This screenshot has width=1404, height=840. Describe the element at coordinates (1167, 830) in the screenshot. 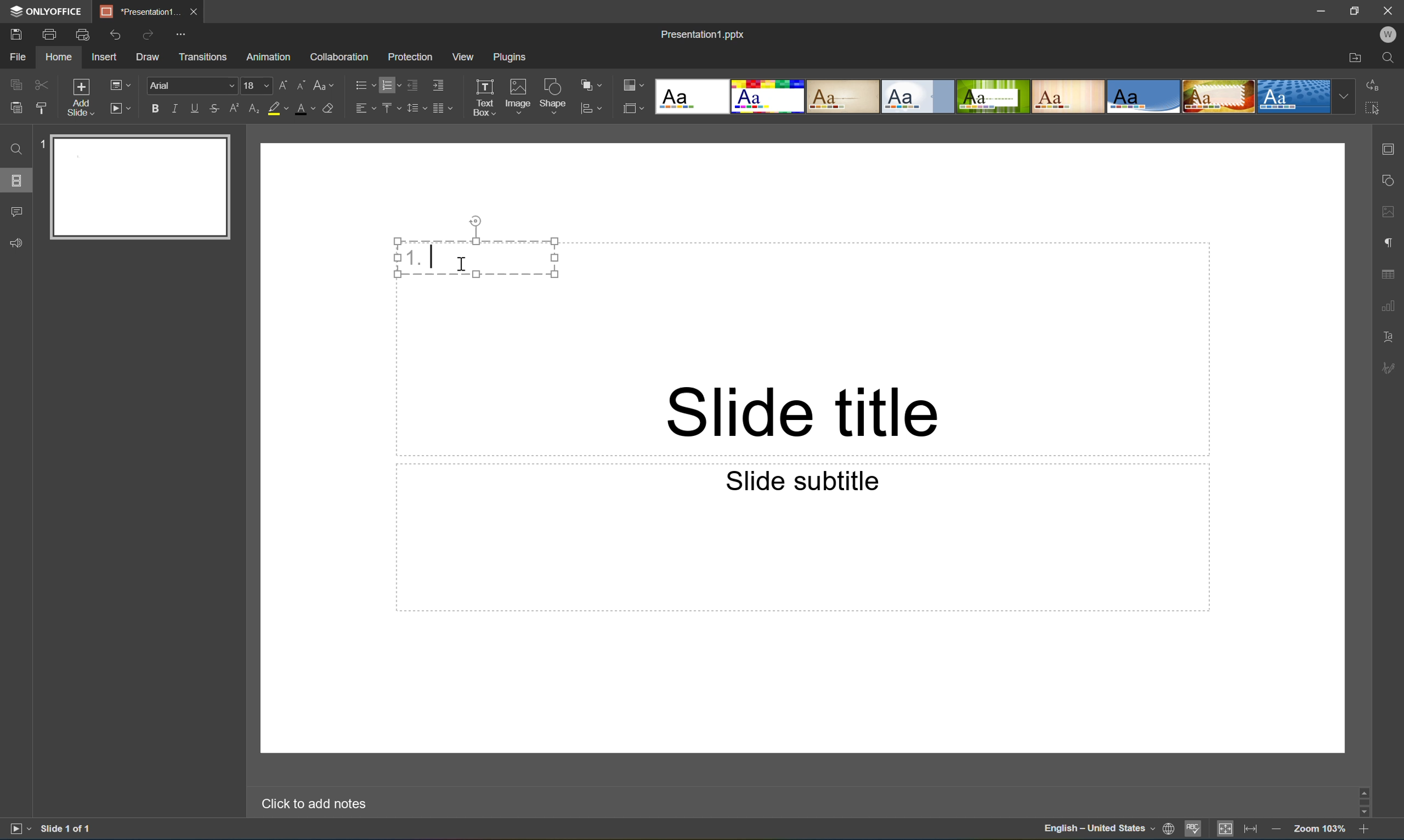

I see `Set document language` at that location.